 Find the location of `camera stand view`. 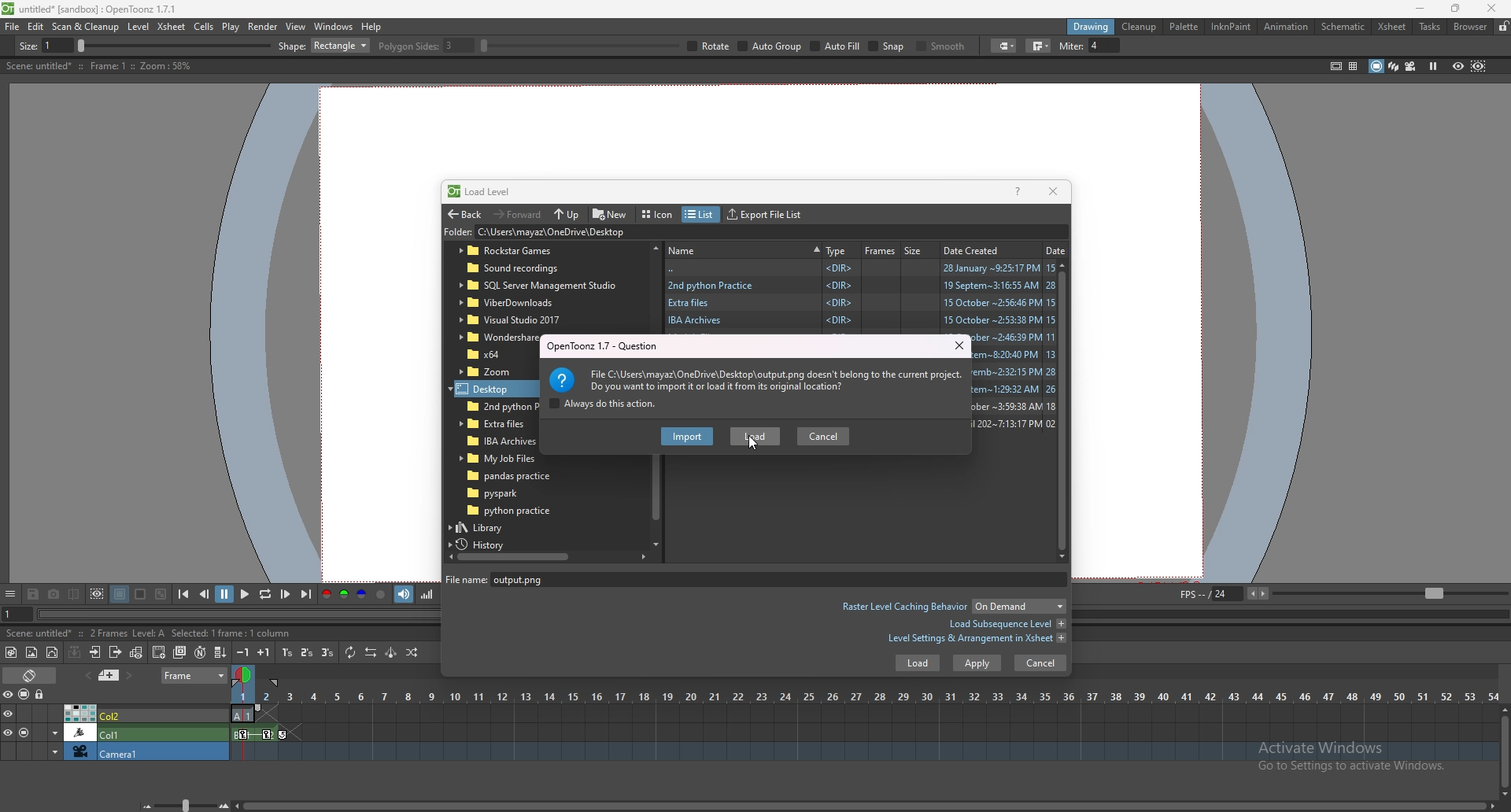

camera stand view is located at coordinates (1375, 66).